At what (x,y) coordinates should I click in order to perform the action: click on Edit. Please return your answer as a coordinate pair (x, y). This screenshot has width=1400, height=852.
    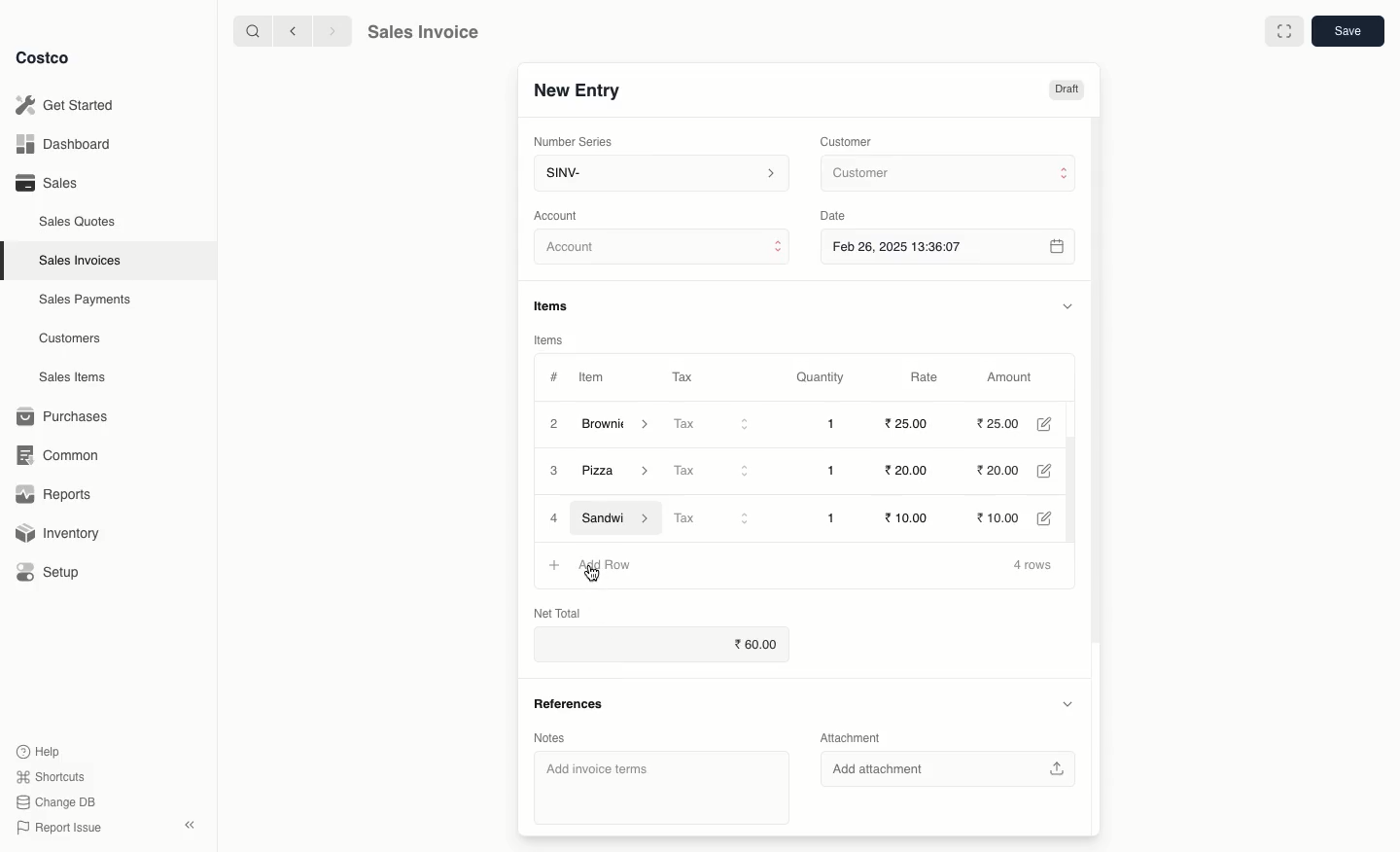
    Looking at the image, I should click on (1052, 424).